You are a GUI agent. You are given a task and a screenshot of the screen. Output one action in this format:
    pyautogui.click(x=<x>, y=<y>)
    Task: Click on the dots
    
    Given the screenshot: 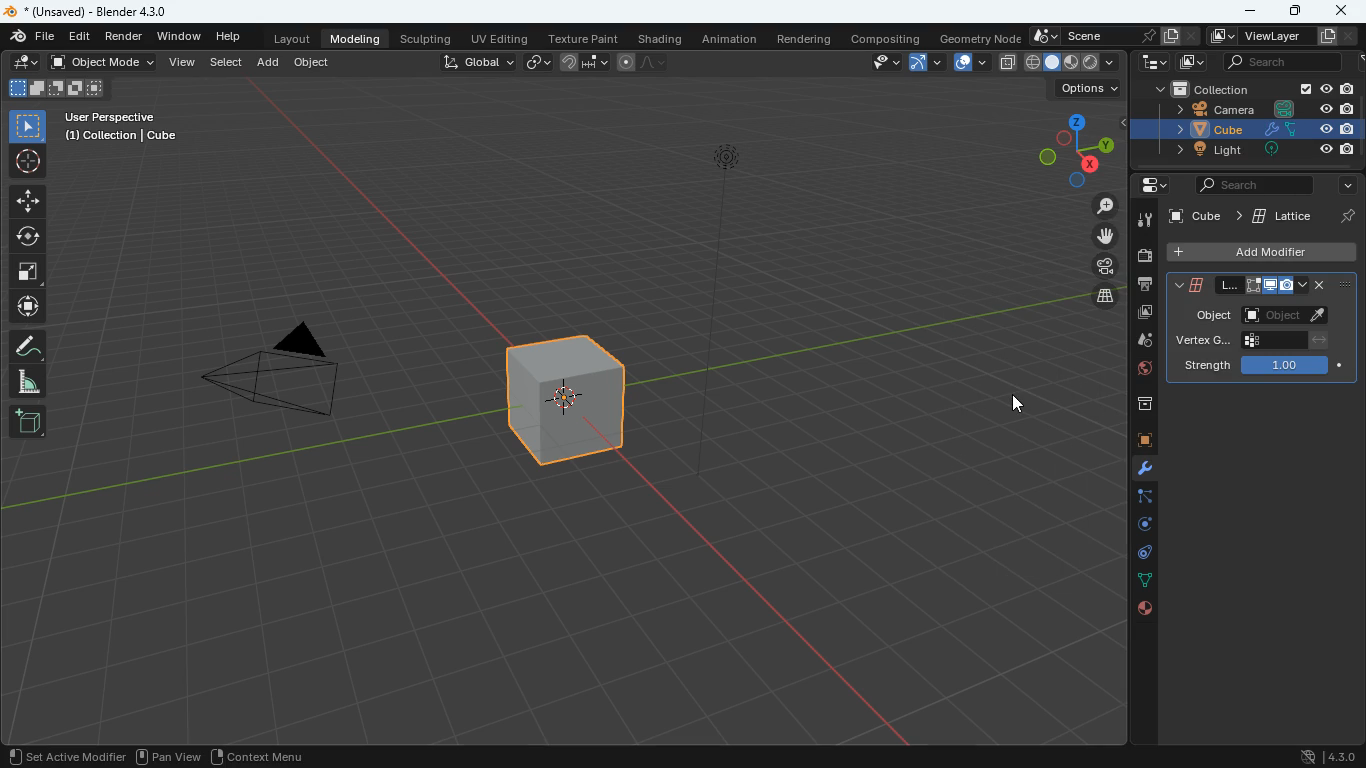 What is the action you would take?
    pyautogui.click(x=1145, y=583)
    